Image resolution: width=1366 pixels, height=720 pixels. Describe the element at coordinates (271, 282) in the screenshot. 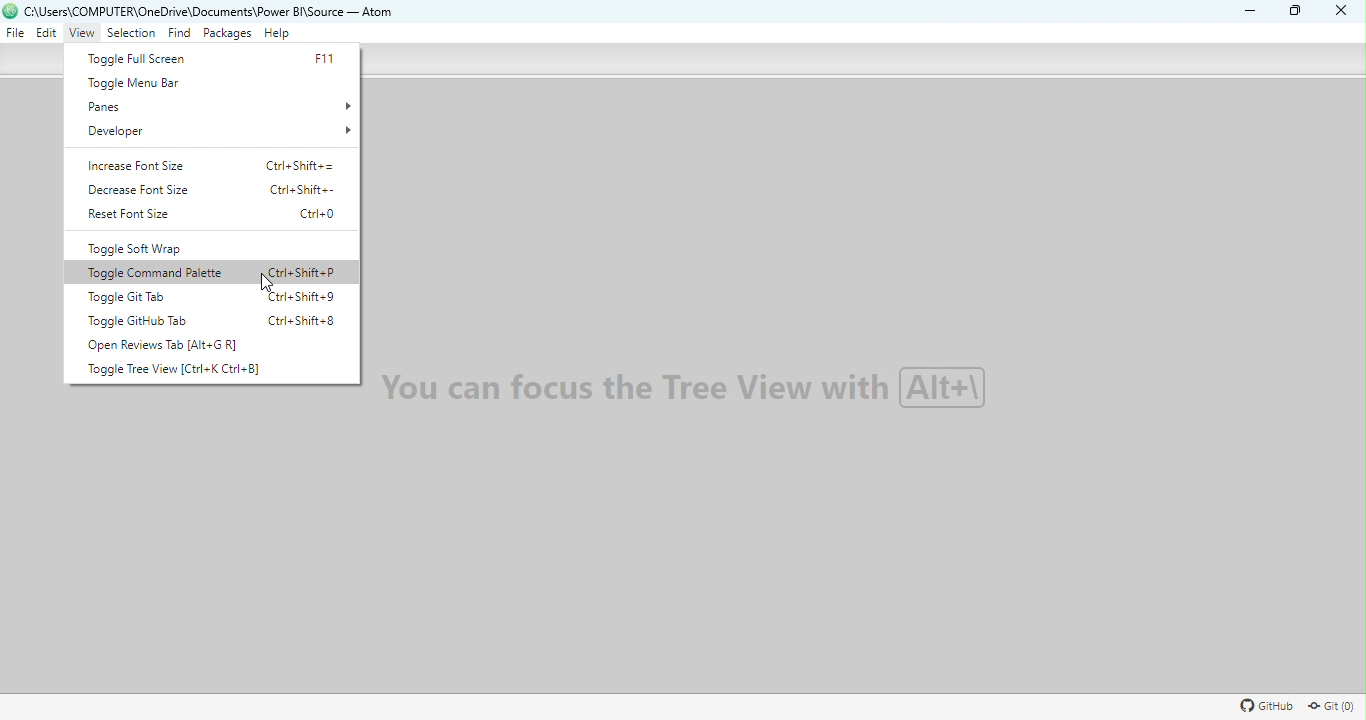

I see `Cursor` at that location.